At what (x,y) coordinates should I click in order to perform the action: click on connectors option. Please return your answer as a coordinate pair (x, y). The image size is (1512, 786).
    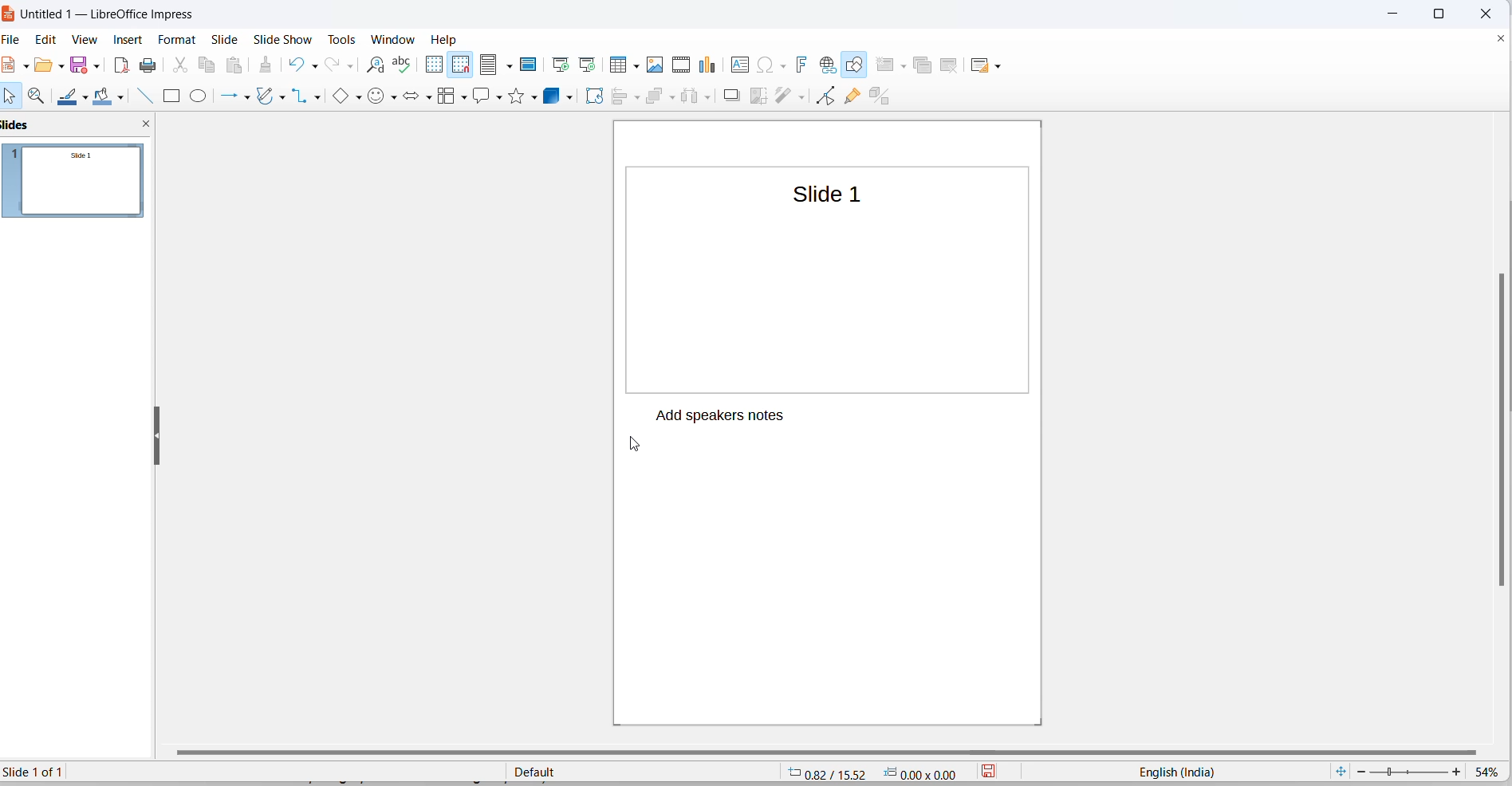
    Looking at the image, I should click on (319, 97).